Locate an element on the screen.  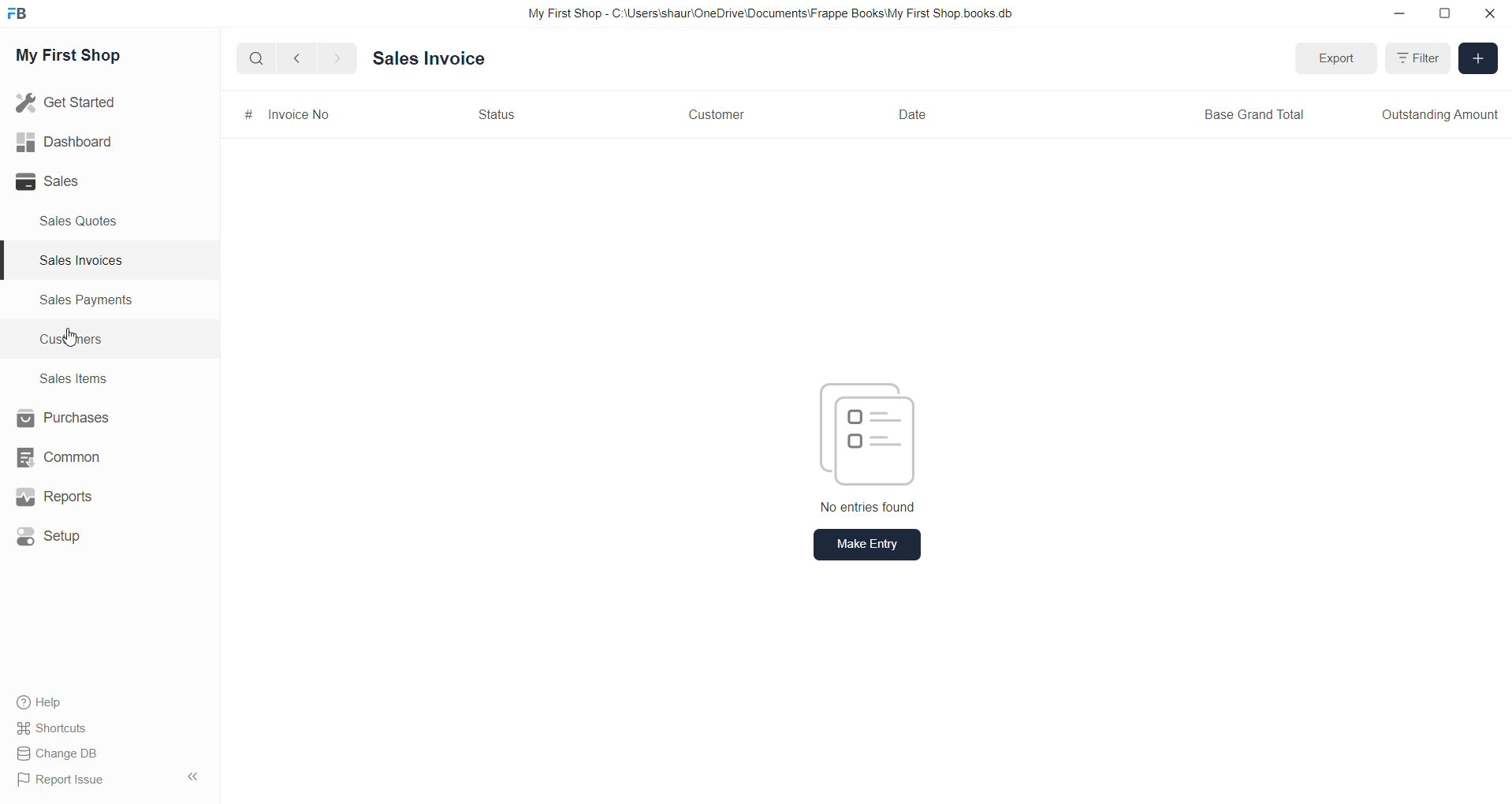
customers is located at coordinates (83, 341).